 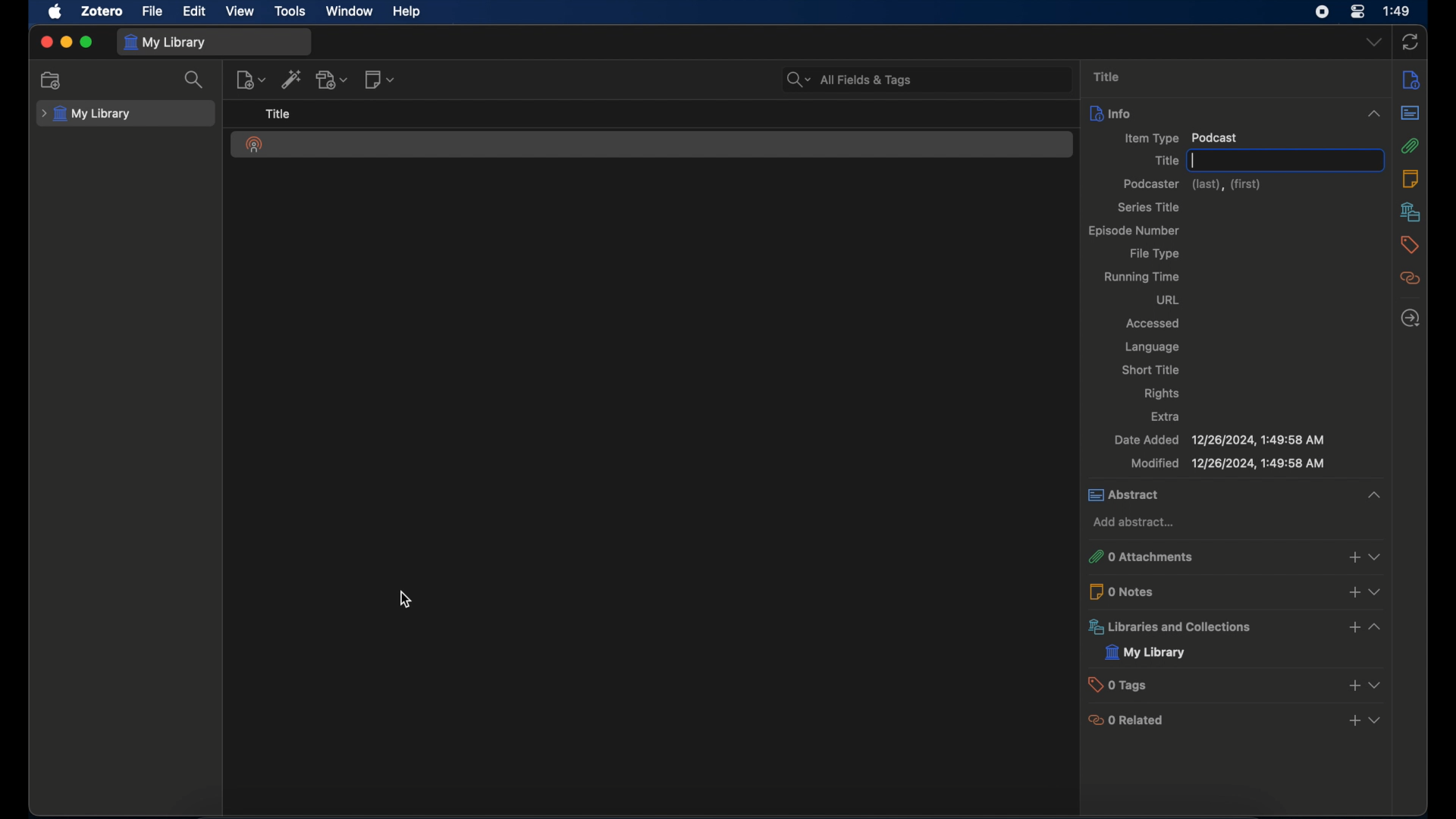 What do you see at coordinates (1410, 81) in the screenshot?
I see `info` at bounding box center [1410, 81].